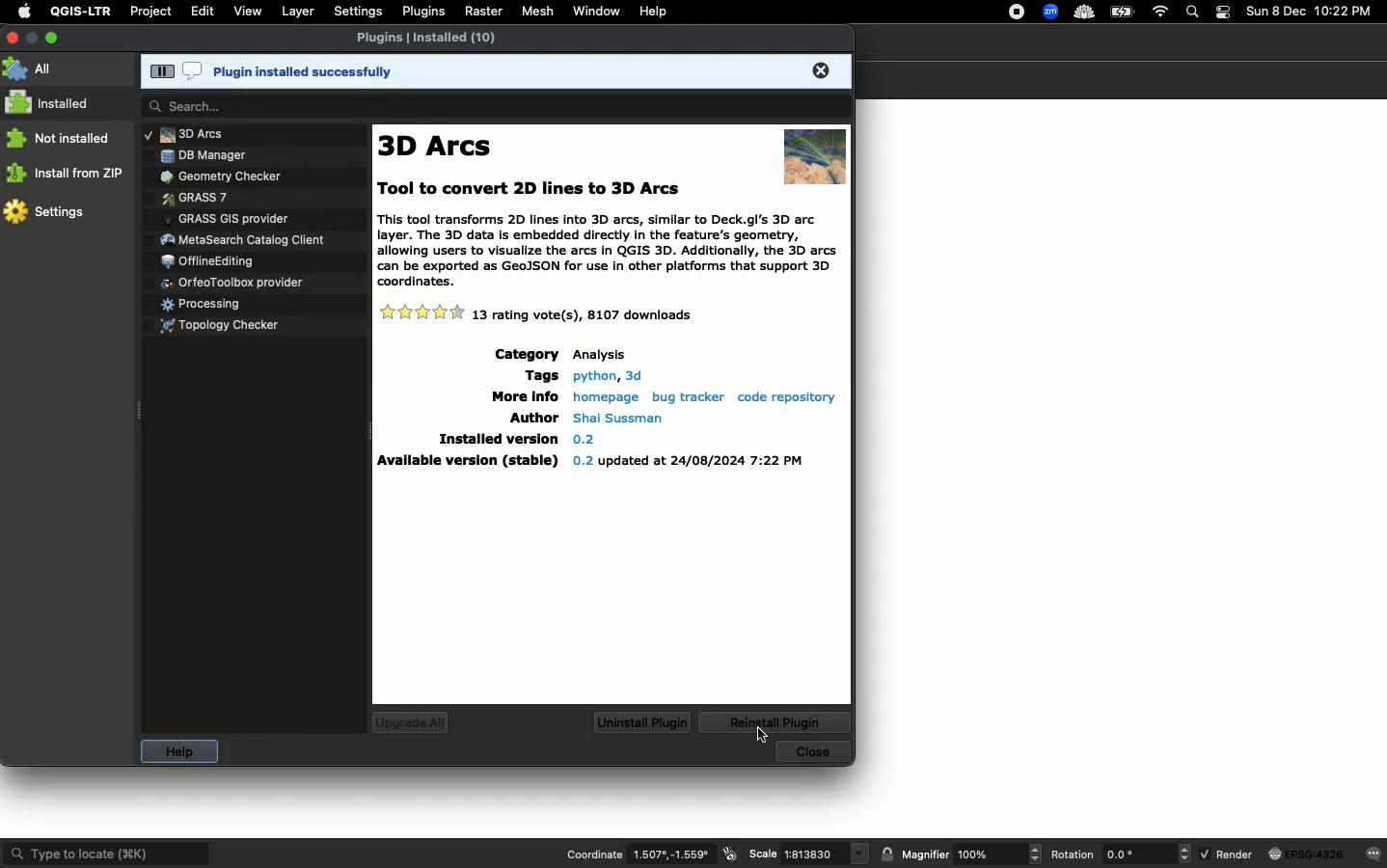 The image size is (1387, 868). Describe the element at coordinates (204, 11) in the screenshot. I see `Edit` at that location.